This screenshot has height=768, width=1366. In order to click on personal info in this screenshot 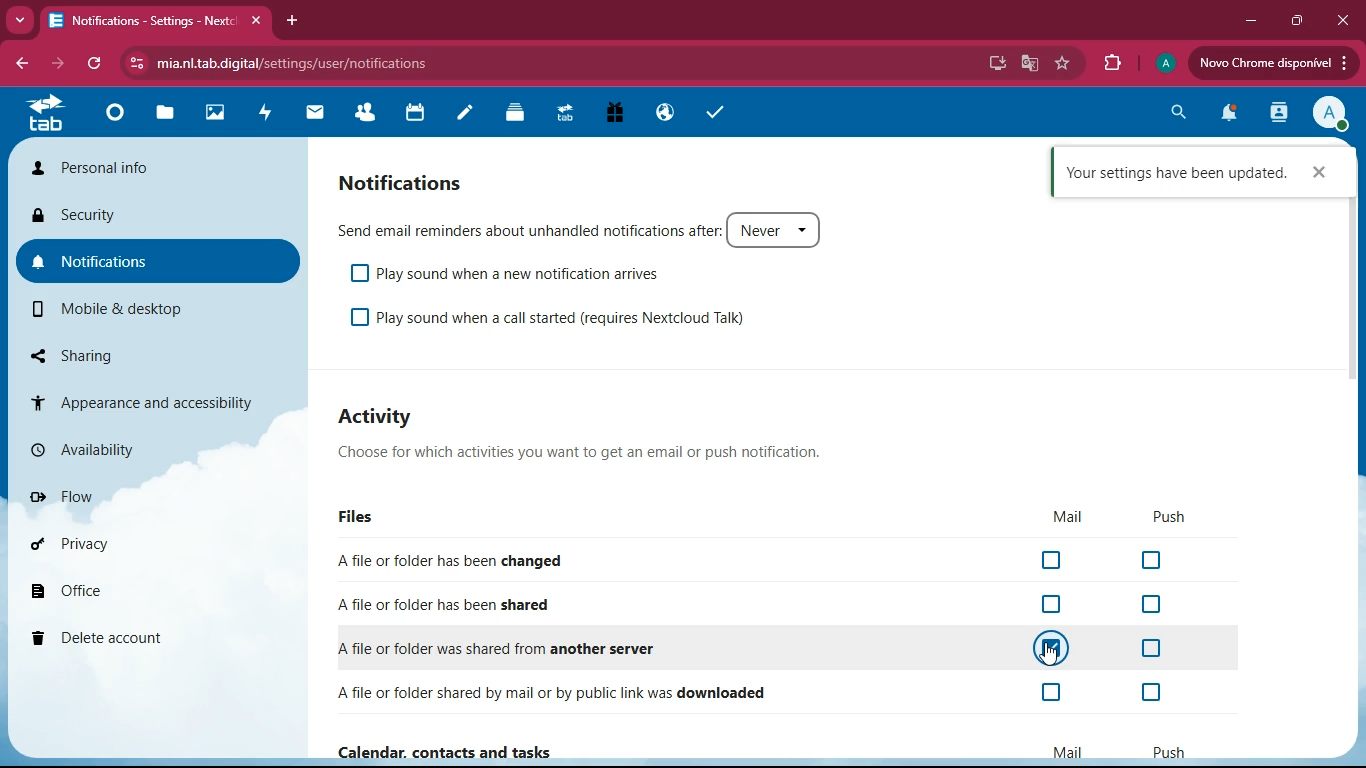, I will do `click(159, 167)`.